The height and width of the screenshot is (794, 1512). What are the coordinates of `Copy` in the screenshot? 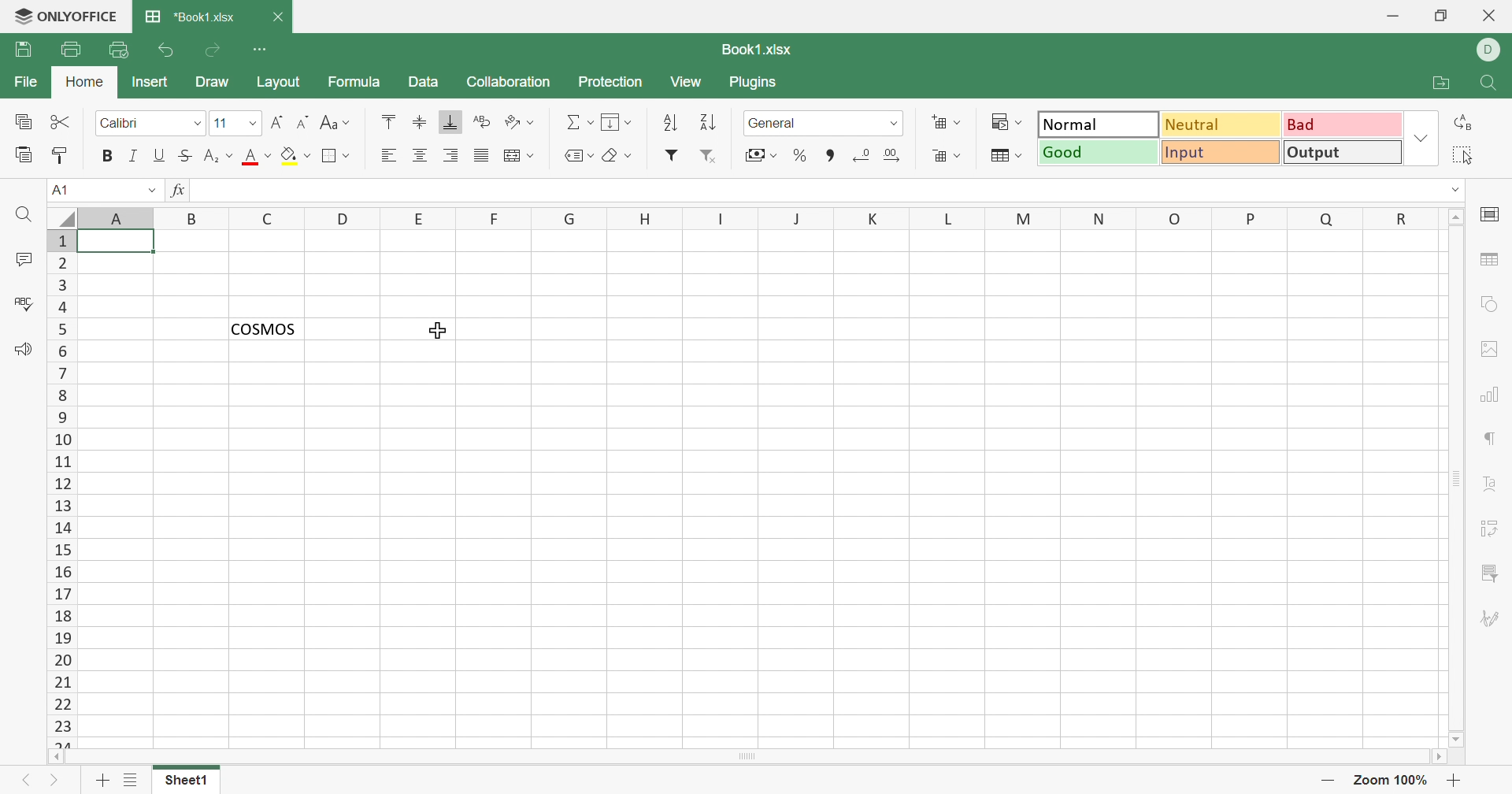 It's located at (23, 121).